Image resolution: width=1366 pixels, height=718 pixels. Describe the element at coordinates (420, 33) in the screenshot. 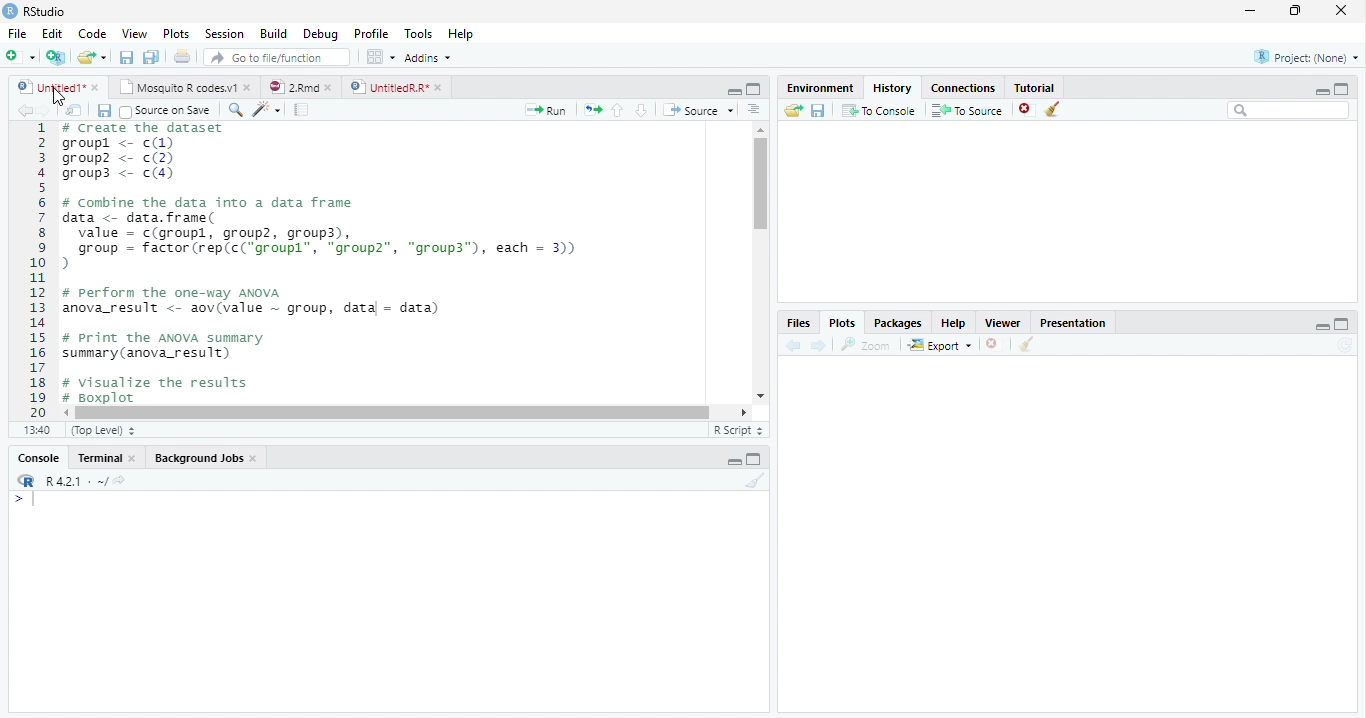

I see `Tools` at that location.